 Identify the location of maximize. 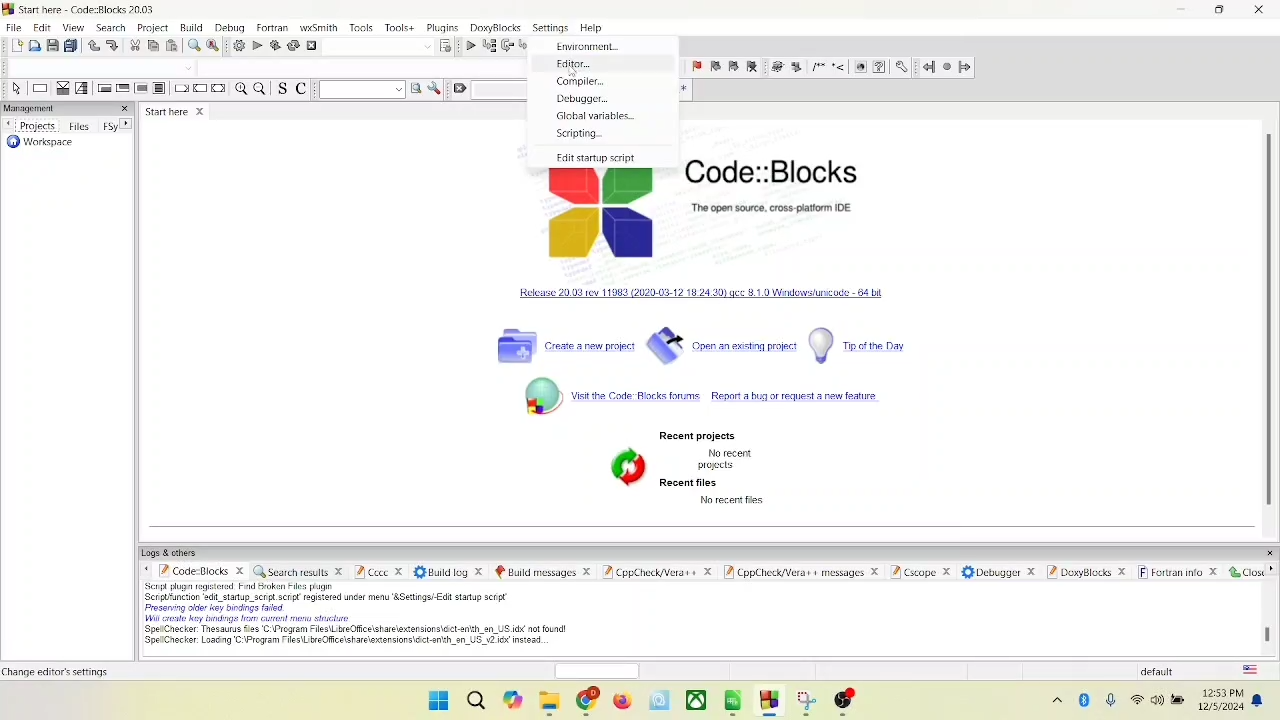
(1223, 12).